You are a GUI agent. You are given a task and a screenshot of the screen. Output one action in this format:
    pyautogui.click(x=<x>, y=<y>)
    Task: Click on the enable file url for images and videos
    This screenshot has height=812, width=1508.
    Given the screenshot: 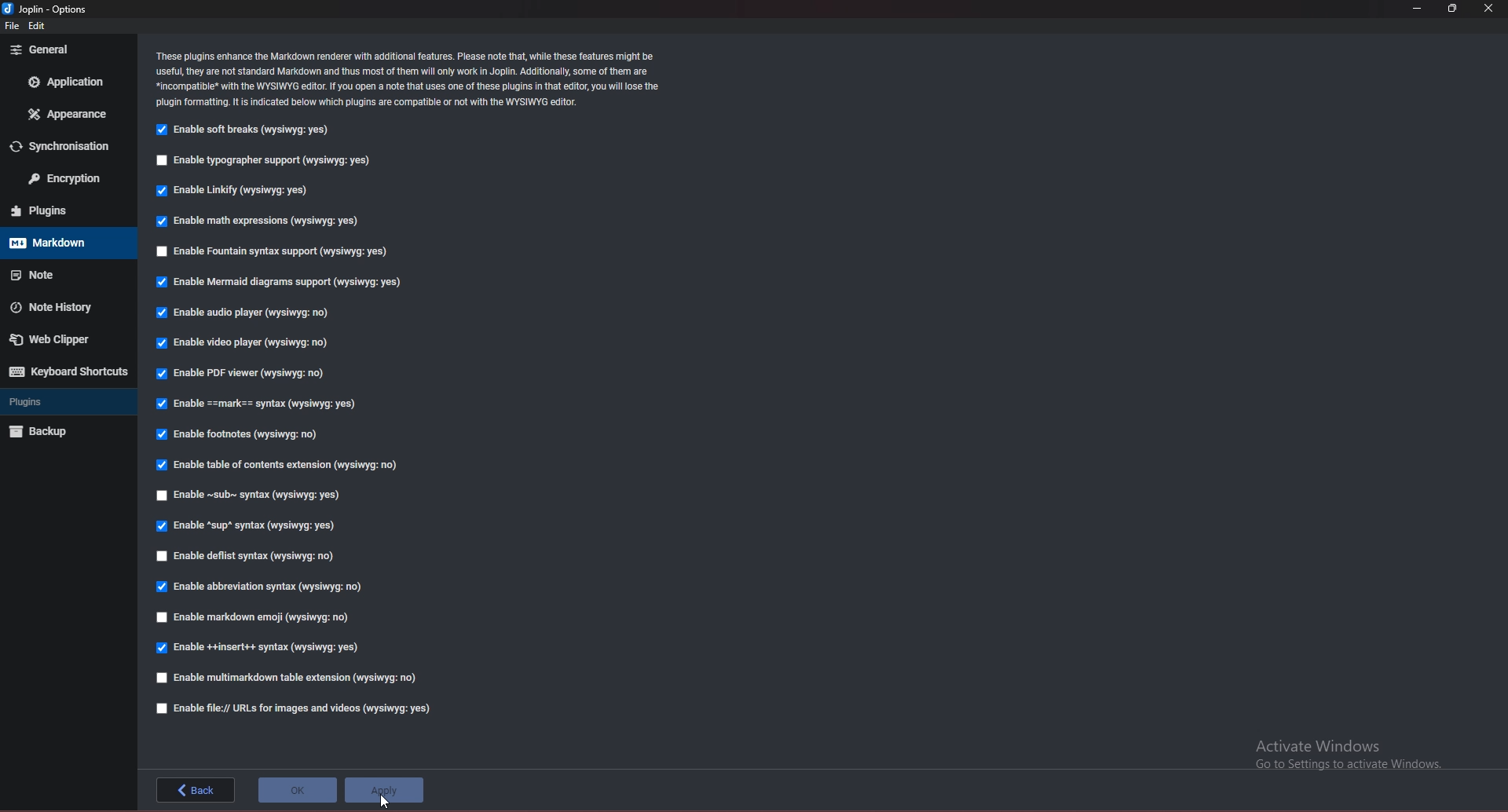 What is the action you would take?
    pyautogui.click(x=296, y=708)
    